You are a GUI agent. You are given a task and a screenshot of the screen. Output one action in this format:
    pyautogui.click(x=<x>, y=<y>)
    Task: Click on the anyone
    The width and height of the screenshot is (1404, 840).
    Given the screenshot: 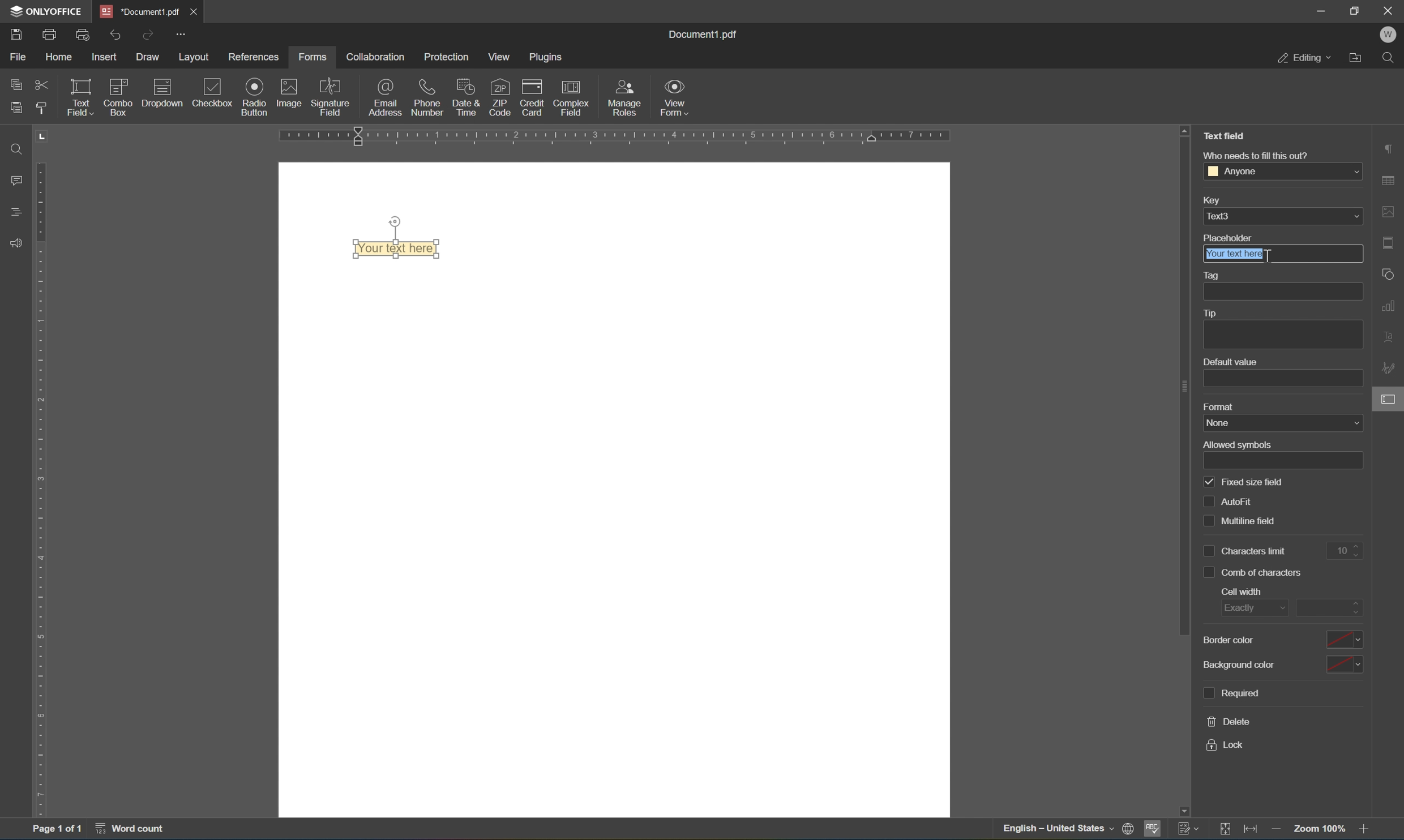 What is the action you would take?
    pyautogui.click(x=1283, y=173)
    